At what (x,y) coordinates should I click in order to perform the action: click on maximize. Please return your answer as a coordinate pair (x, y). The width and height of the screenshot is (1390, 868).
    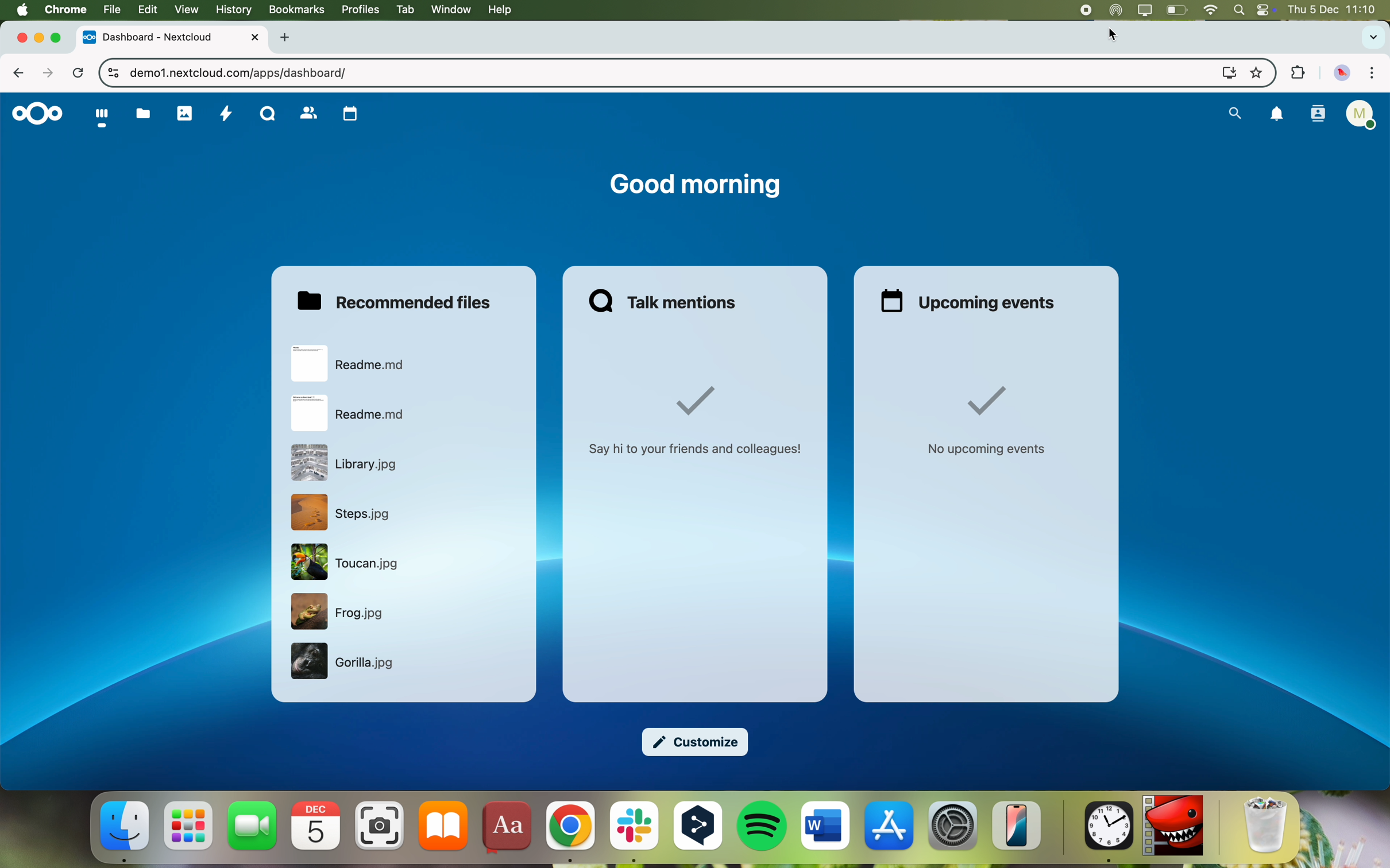
    Looking at the image, I should click on (60, 38).